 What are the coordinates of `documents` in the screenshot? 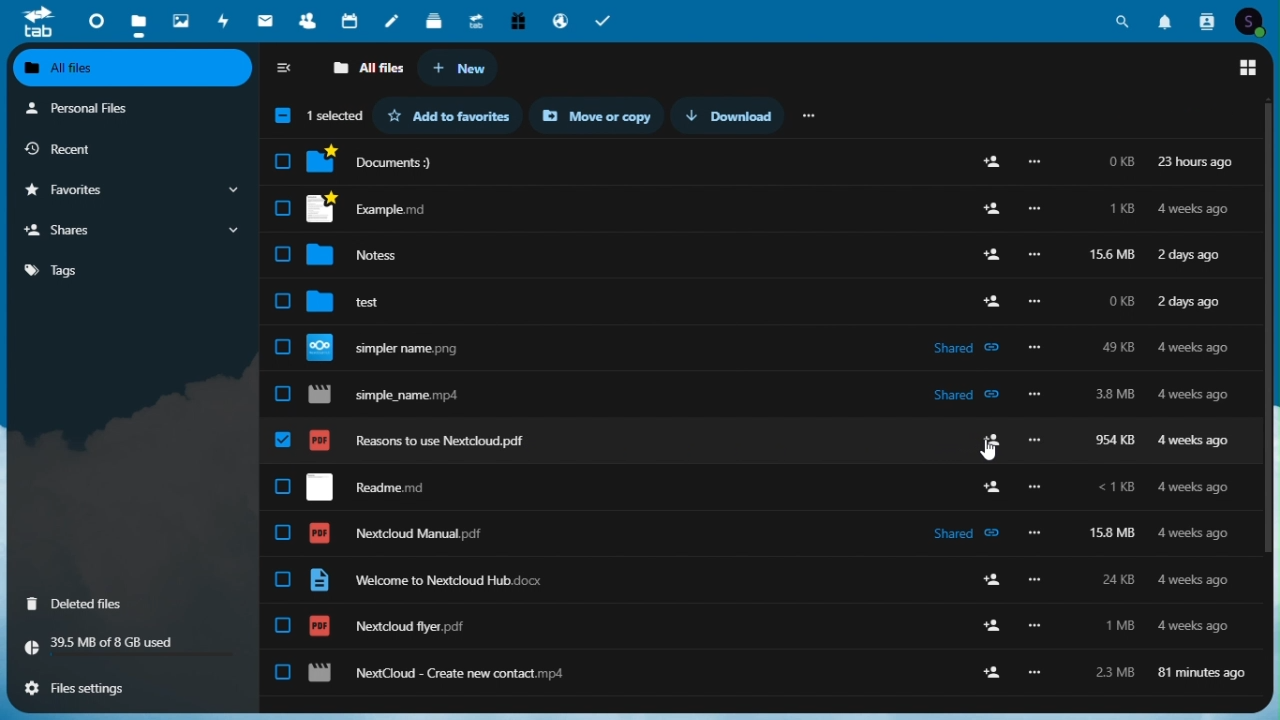 It's located at (384, 161).